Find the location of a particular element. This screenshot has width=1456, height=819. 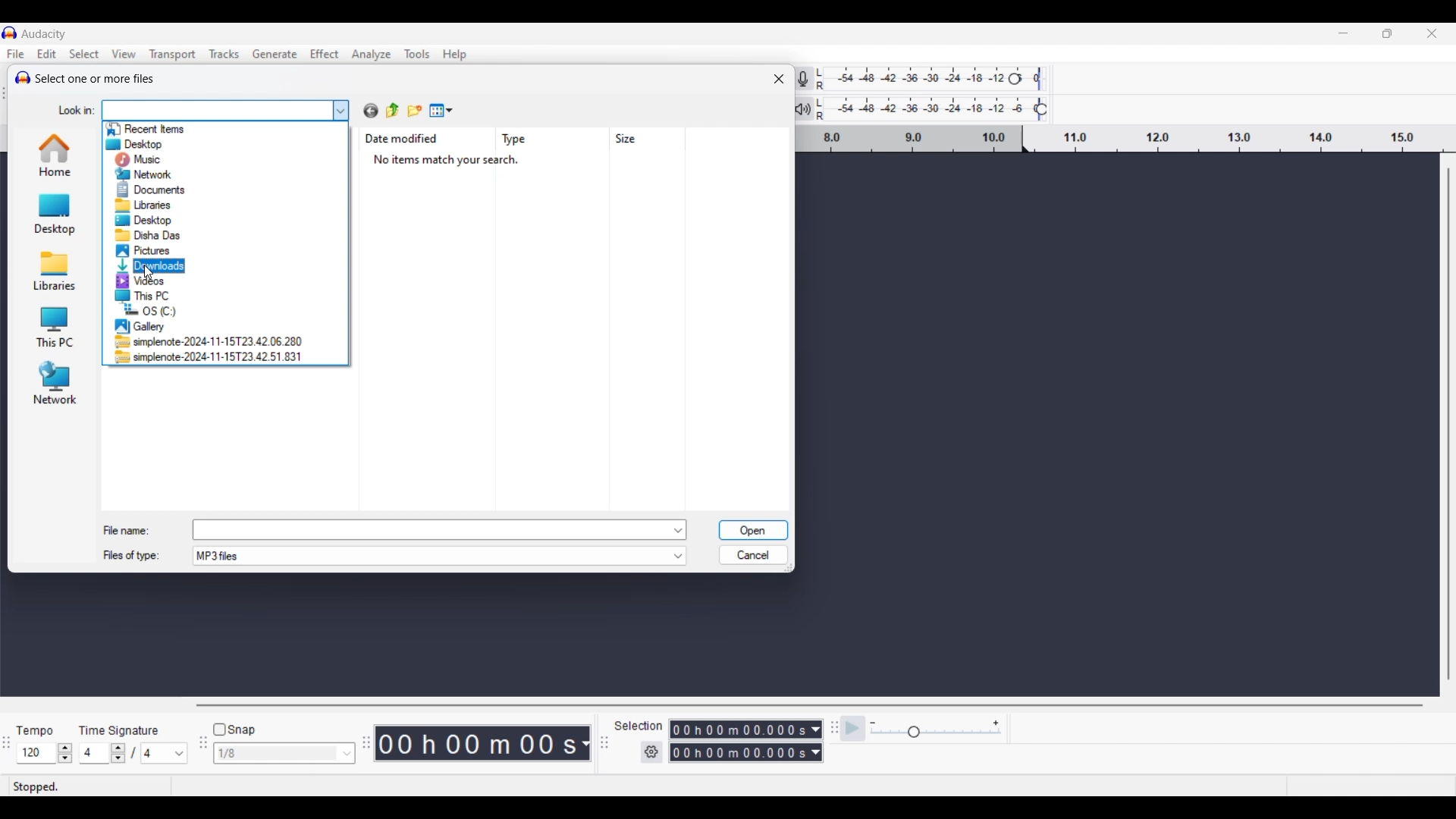

Type in file name is located at coordinates (431, 529).